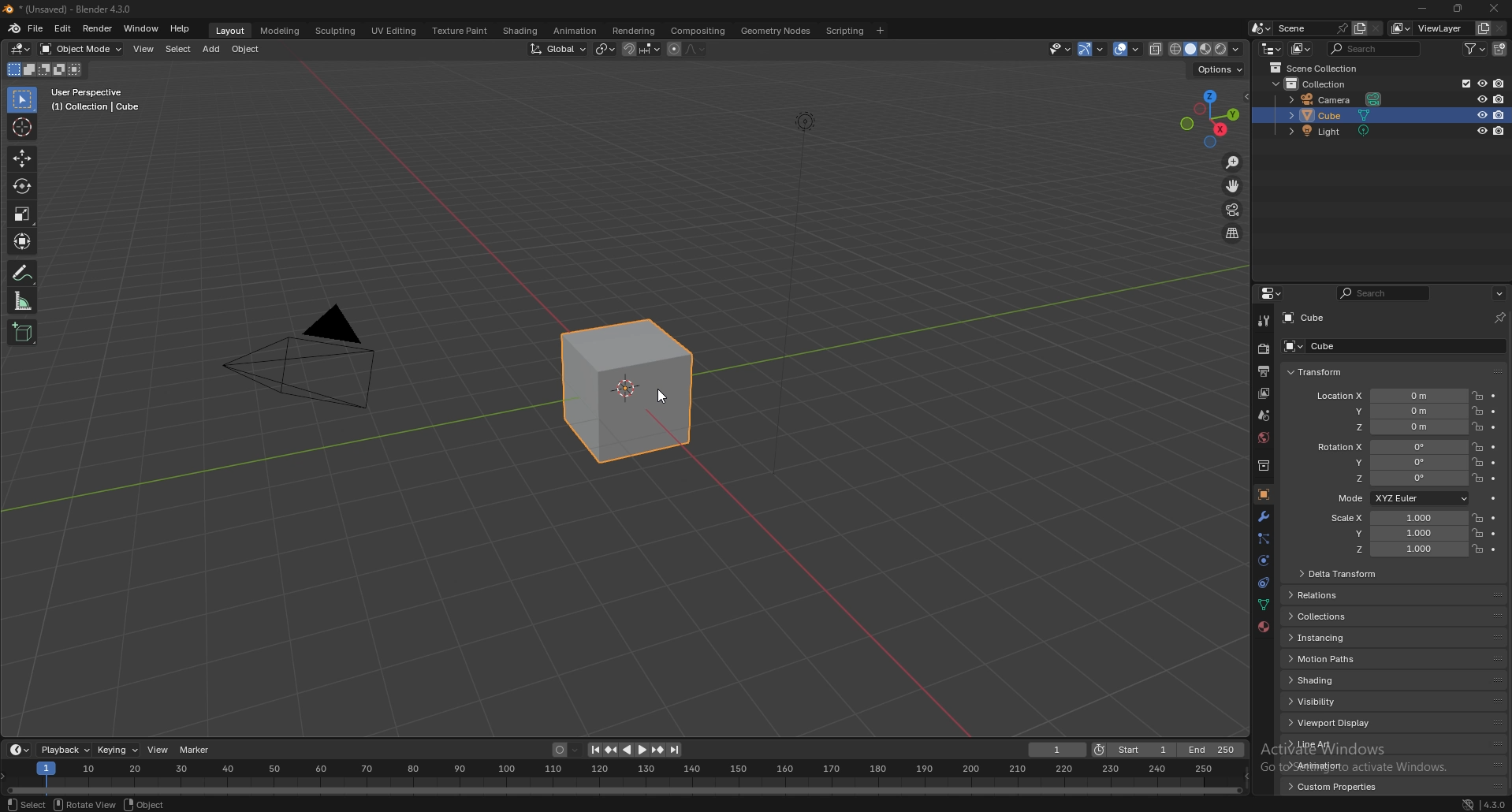 The image size is (1512, 812). Describe the element at coordinates (1372, 48) in the screenshot. I see `search` at that location.